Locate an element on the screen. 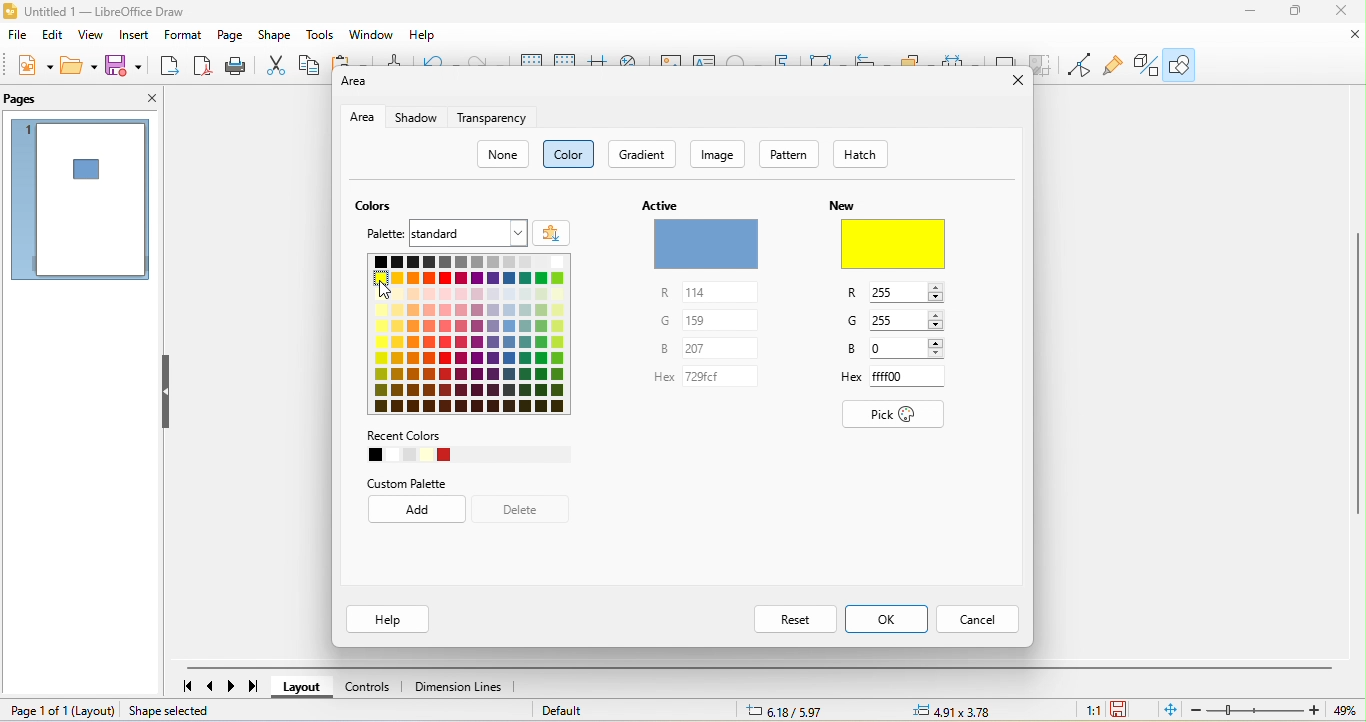  shadow is located at coordinates (419, 118).